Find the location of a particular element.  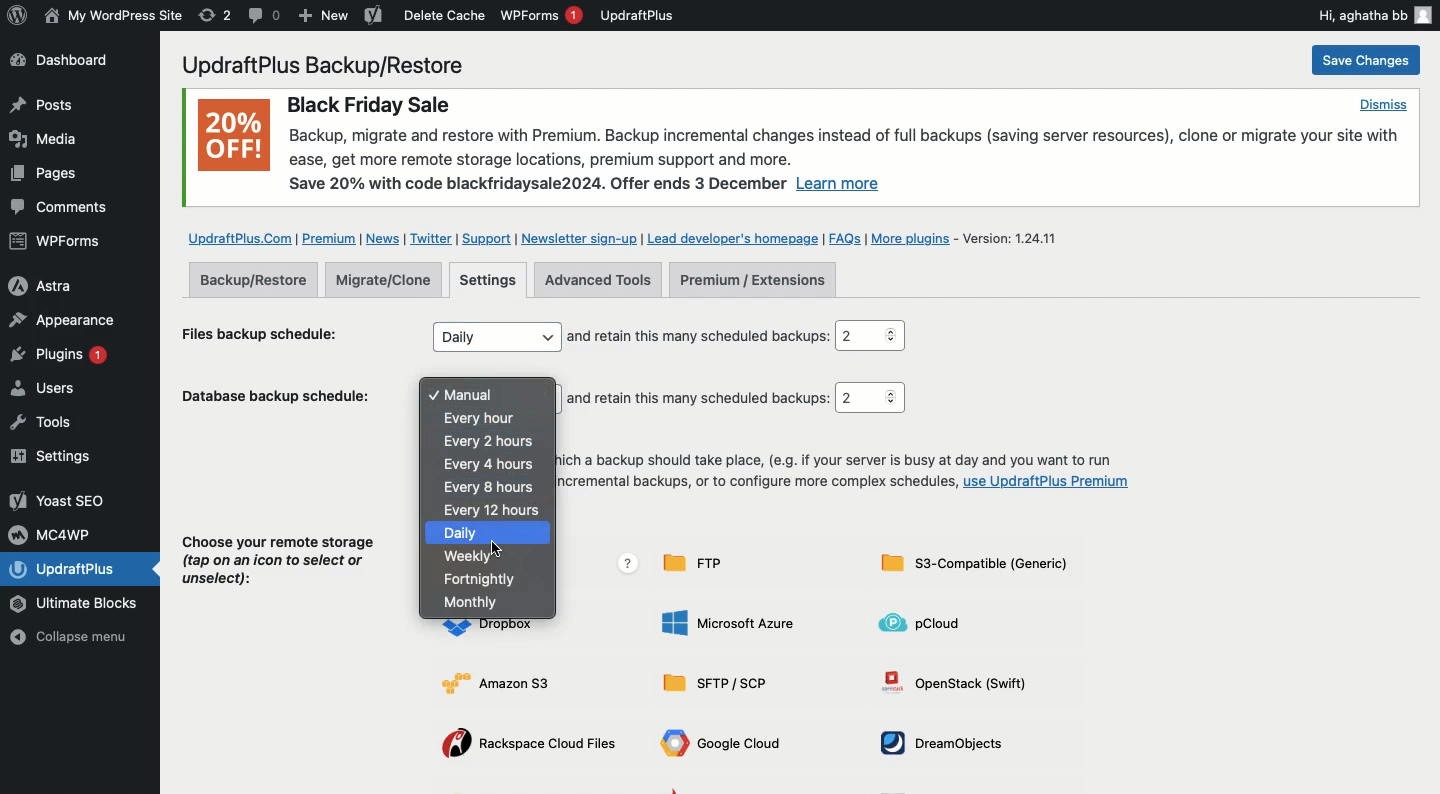

and retain this many scheduled backups: is located at coordinates (701, 399).